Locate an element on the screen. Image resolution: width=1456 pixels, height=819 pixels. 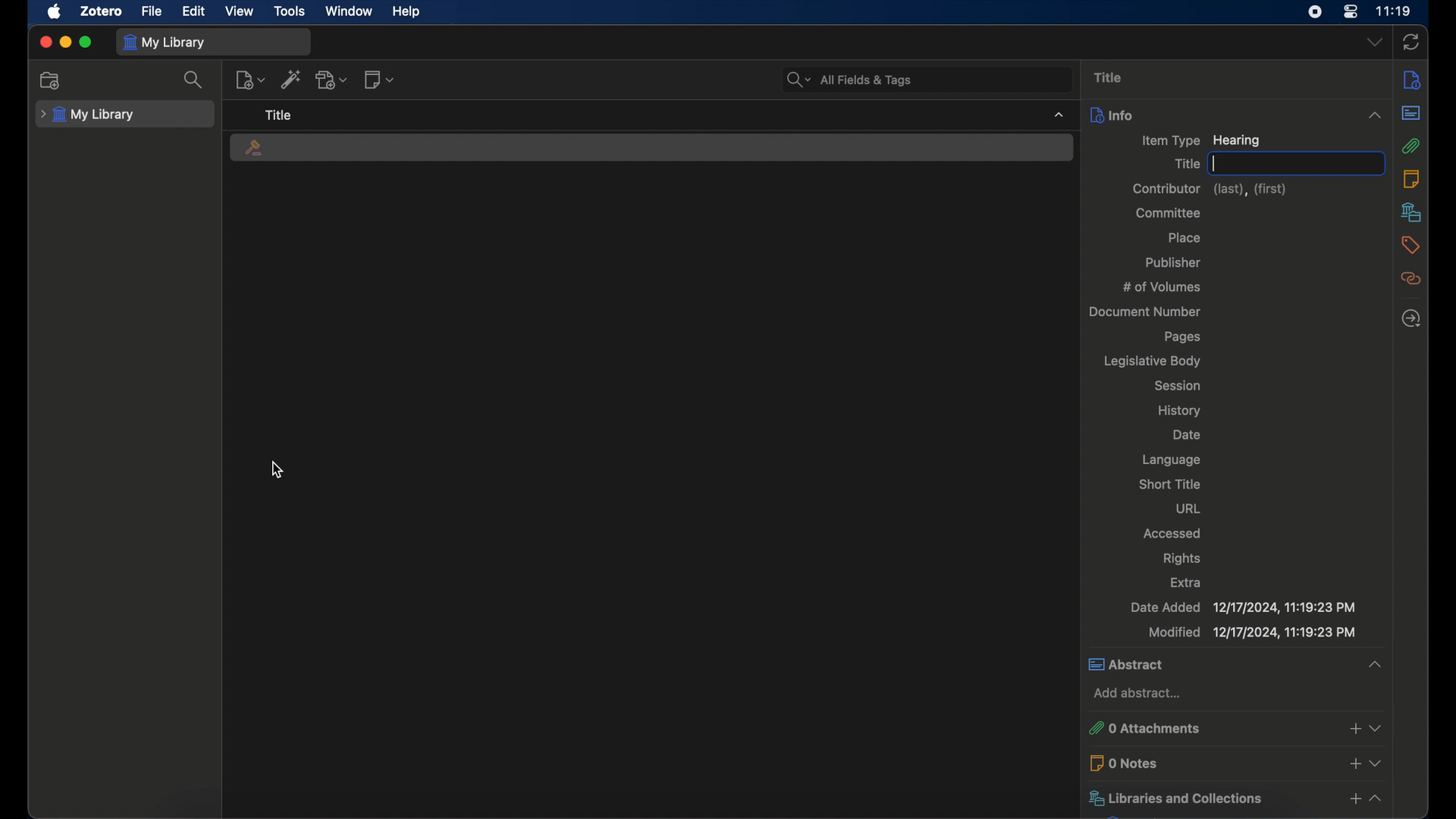
view is located at coordinates (238, 11).